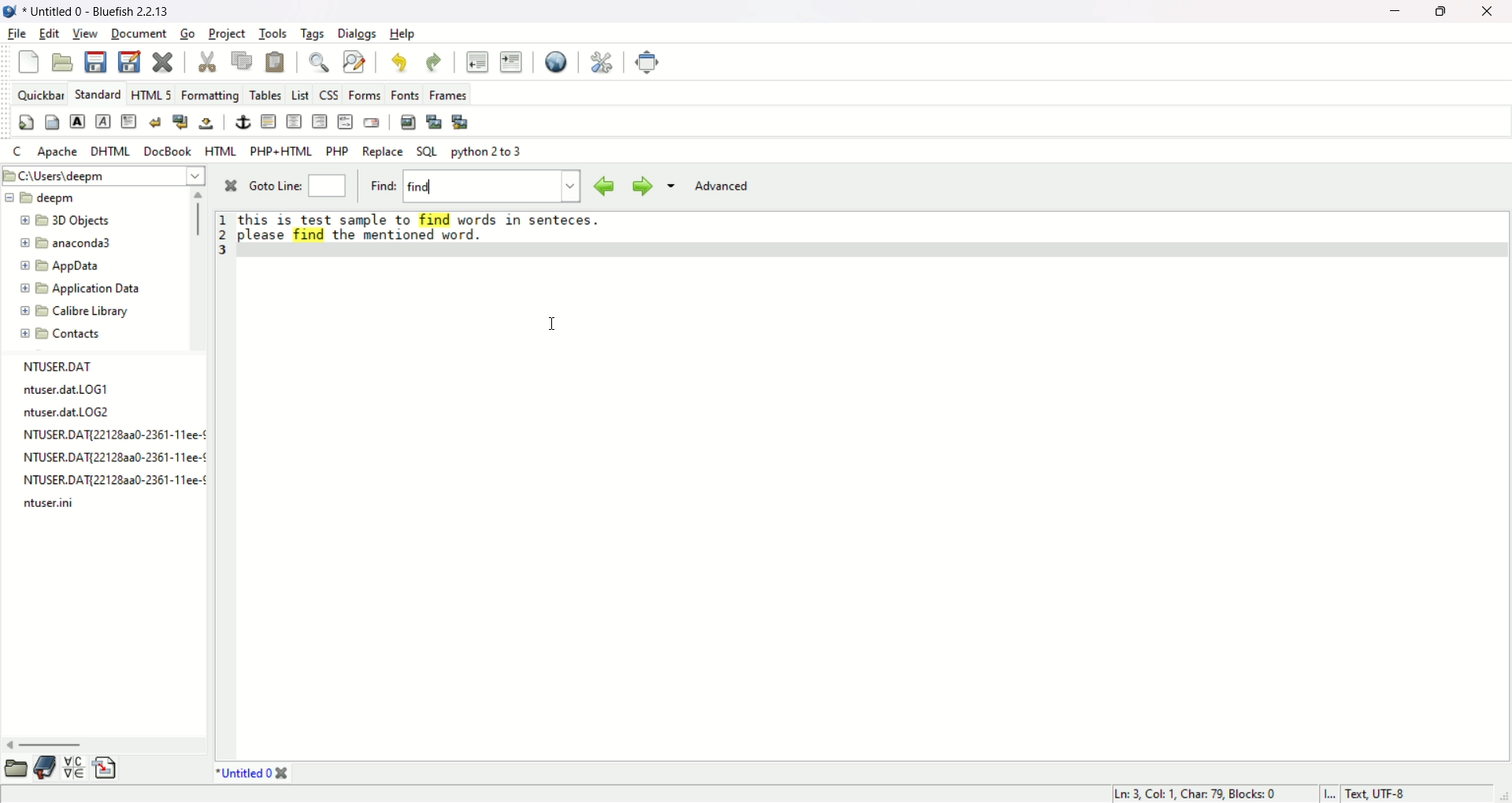 The image size is (1512, 803). Describe the element at coordinates (112, 150) in the screenshot. I see `DHTML` at that location.